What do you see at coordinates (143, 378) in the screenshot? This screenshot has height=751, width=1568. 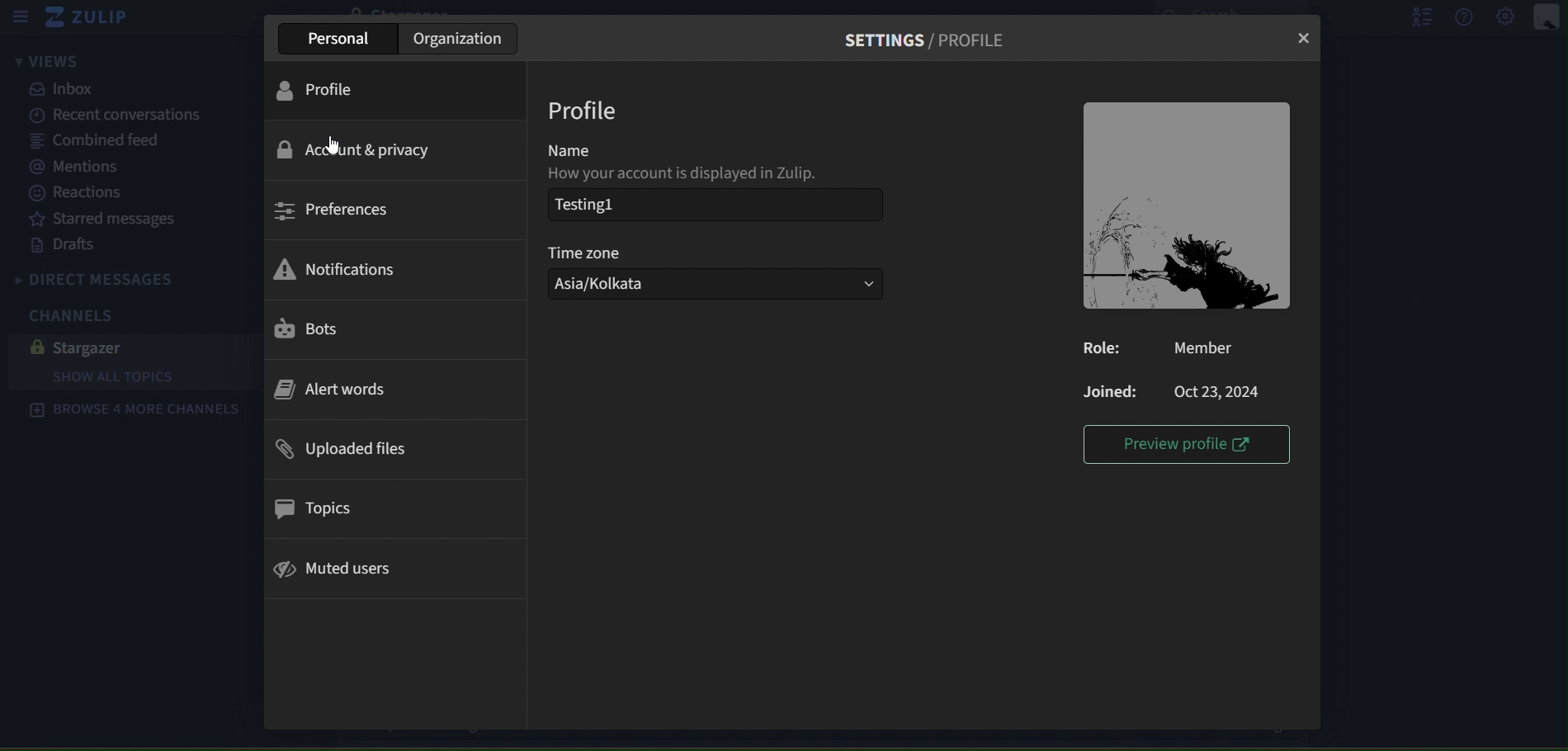 I see `show all topics` at bounding box center [143, 378].